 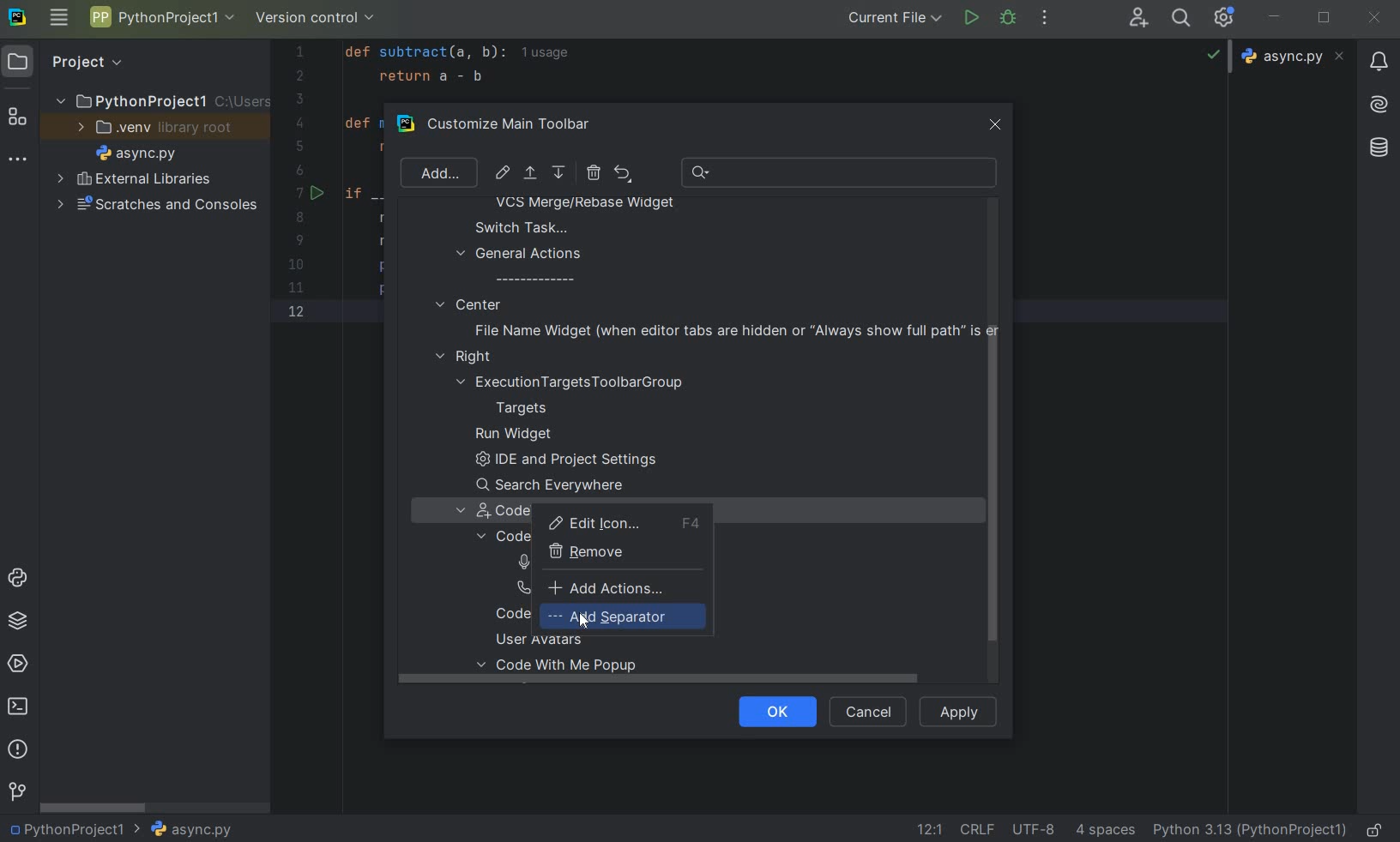 What do you see at coordinates (18, 665) in the screenshot?
I see `SERVICES` at bounding box center [18, 665].